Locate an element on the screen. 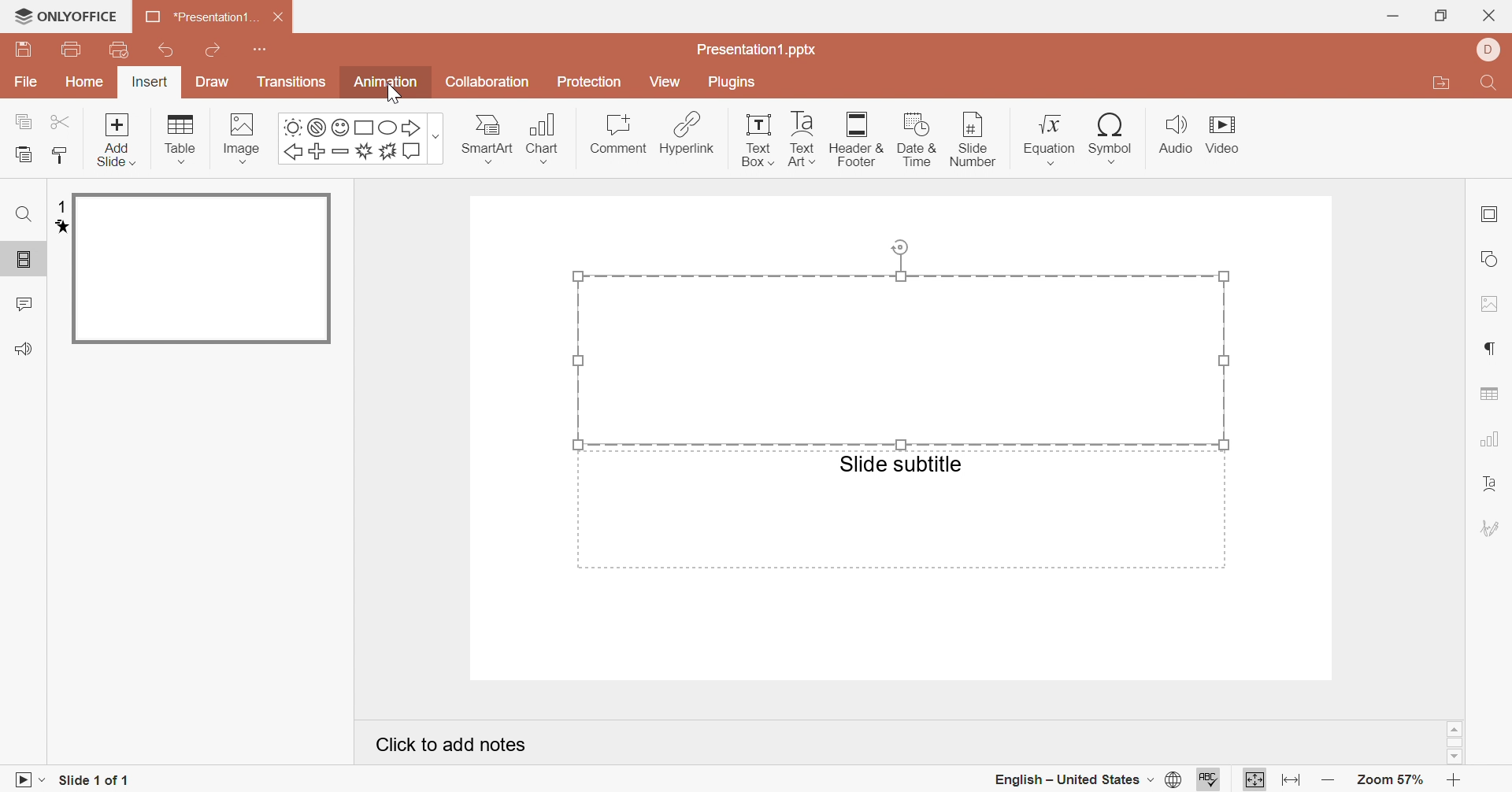  redo is located at coordinates (215, 49).